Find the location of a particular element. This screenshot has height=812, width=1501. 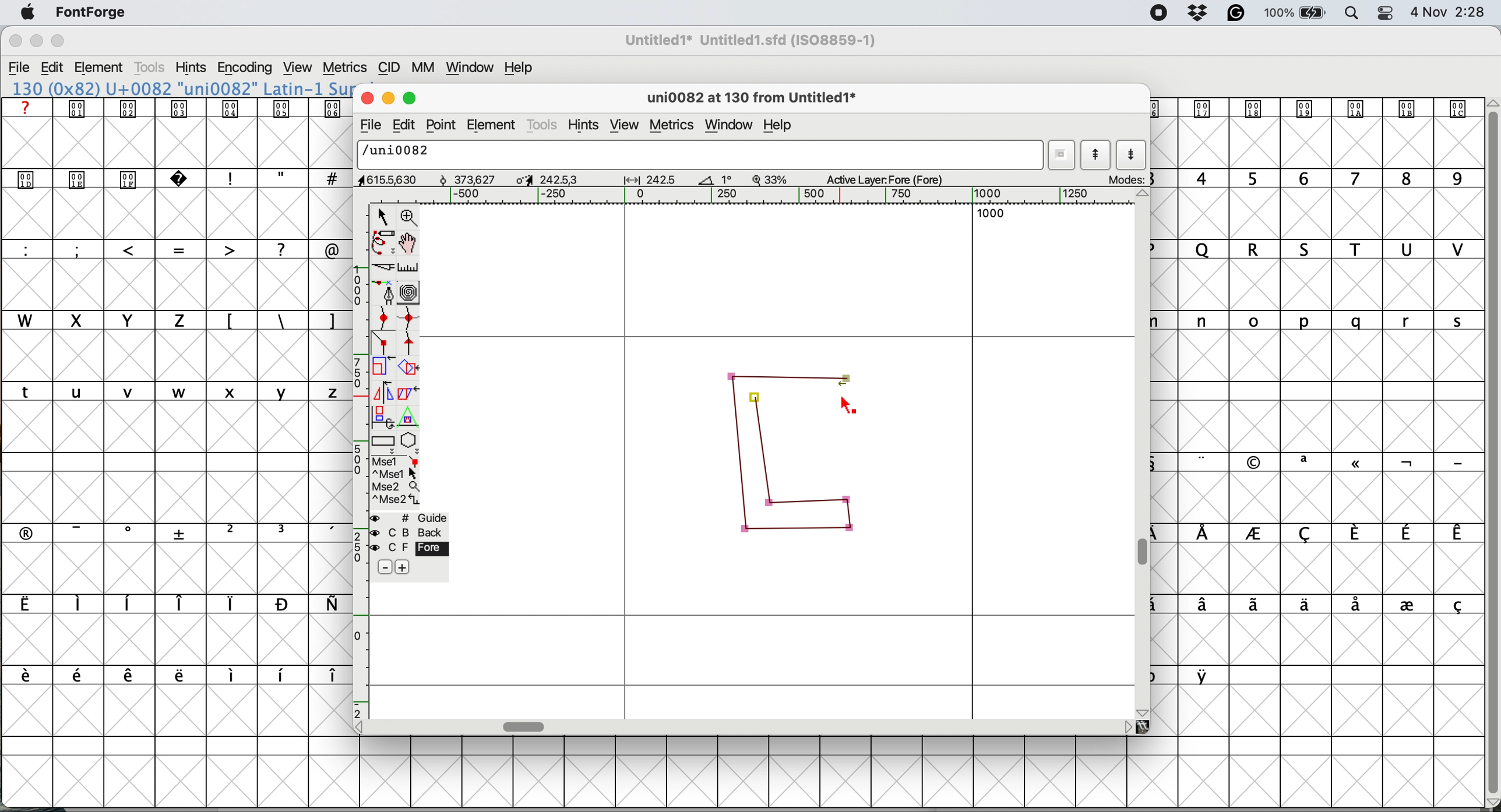

corner points connected is located at coordinates (852, 519).